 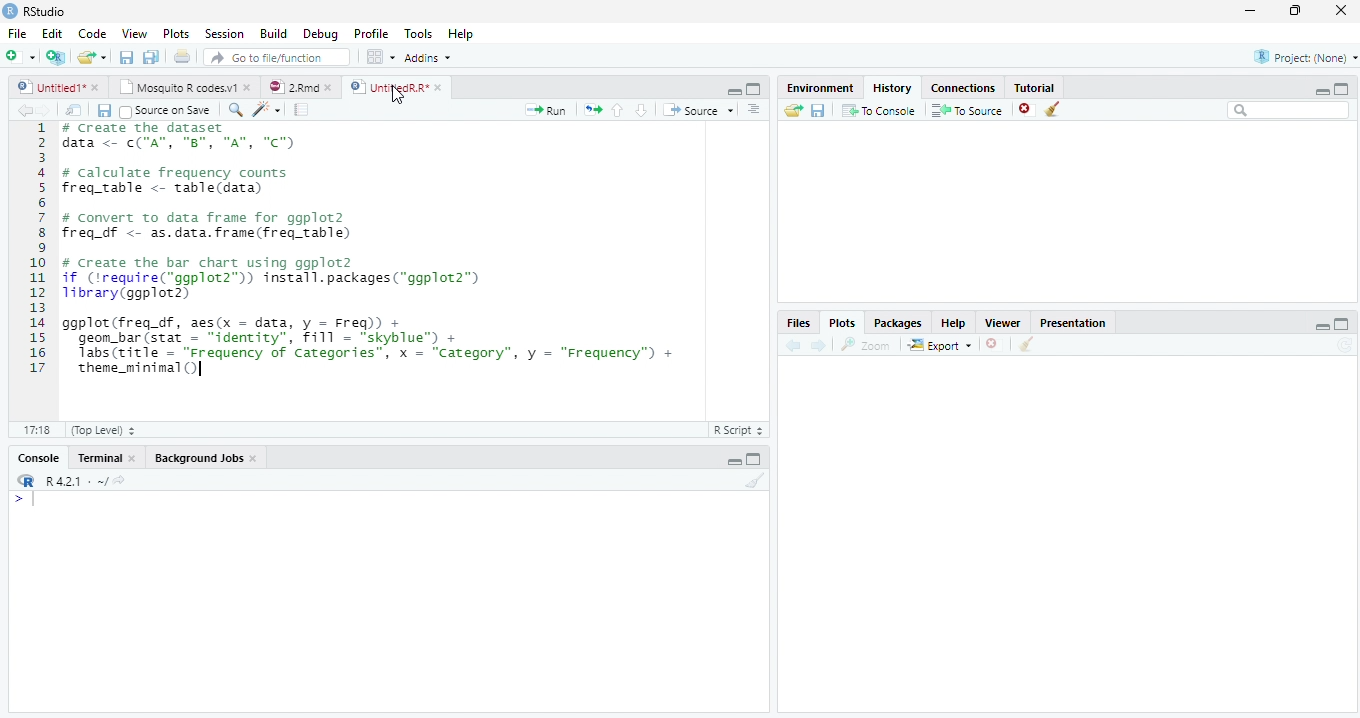 I want to click on New file, so click(x=20, y=56).